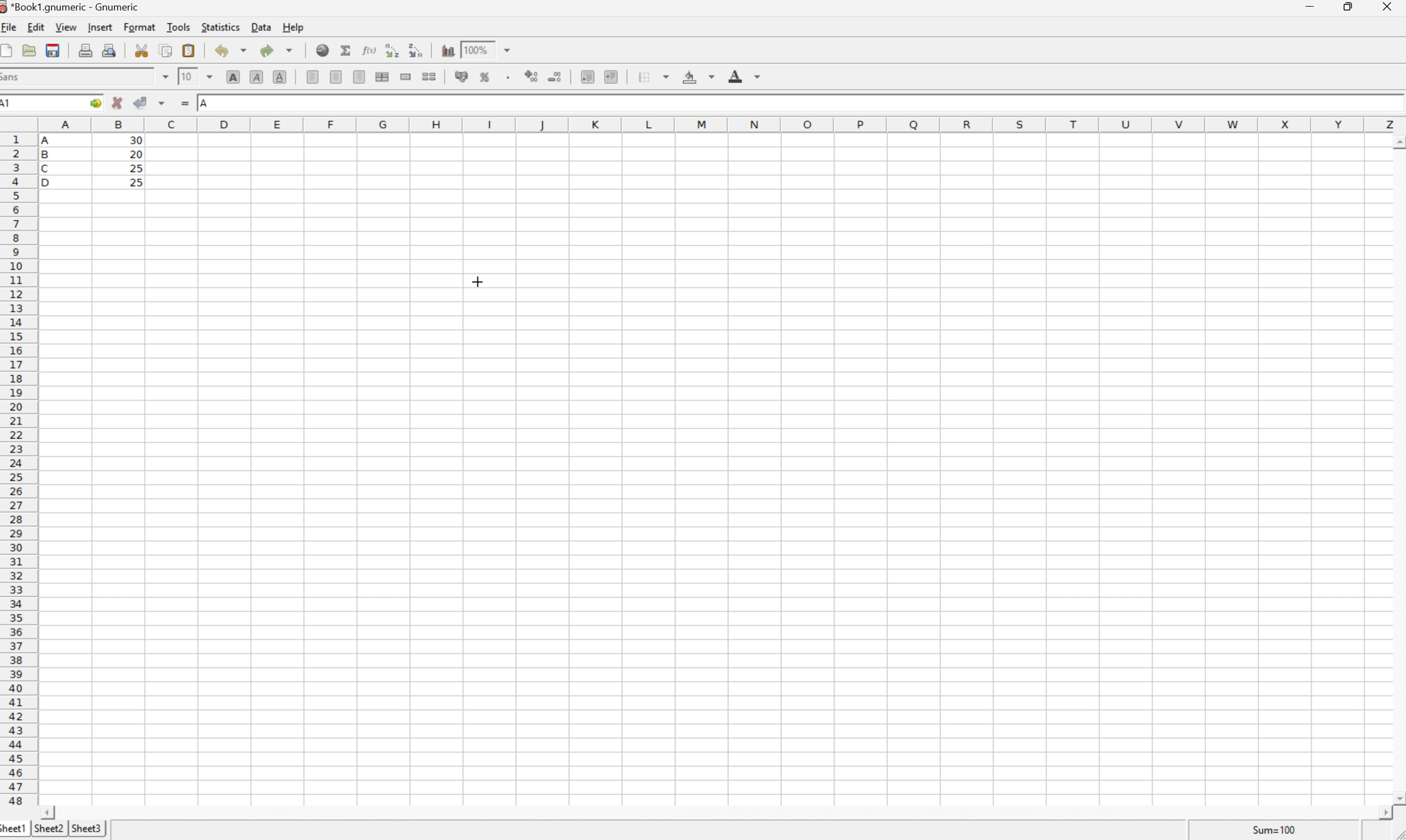 This screenshot has height=840, width=1406. Describe the element at coordinates (135, 154) in the screenshot. I see `20` at that location.